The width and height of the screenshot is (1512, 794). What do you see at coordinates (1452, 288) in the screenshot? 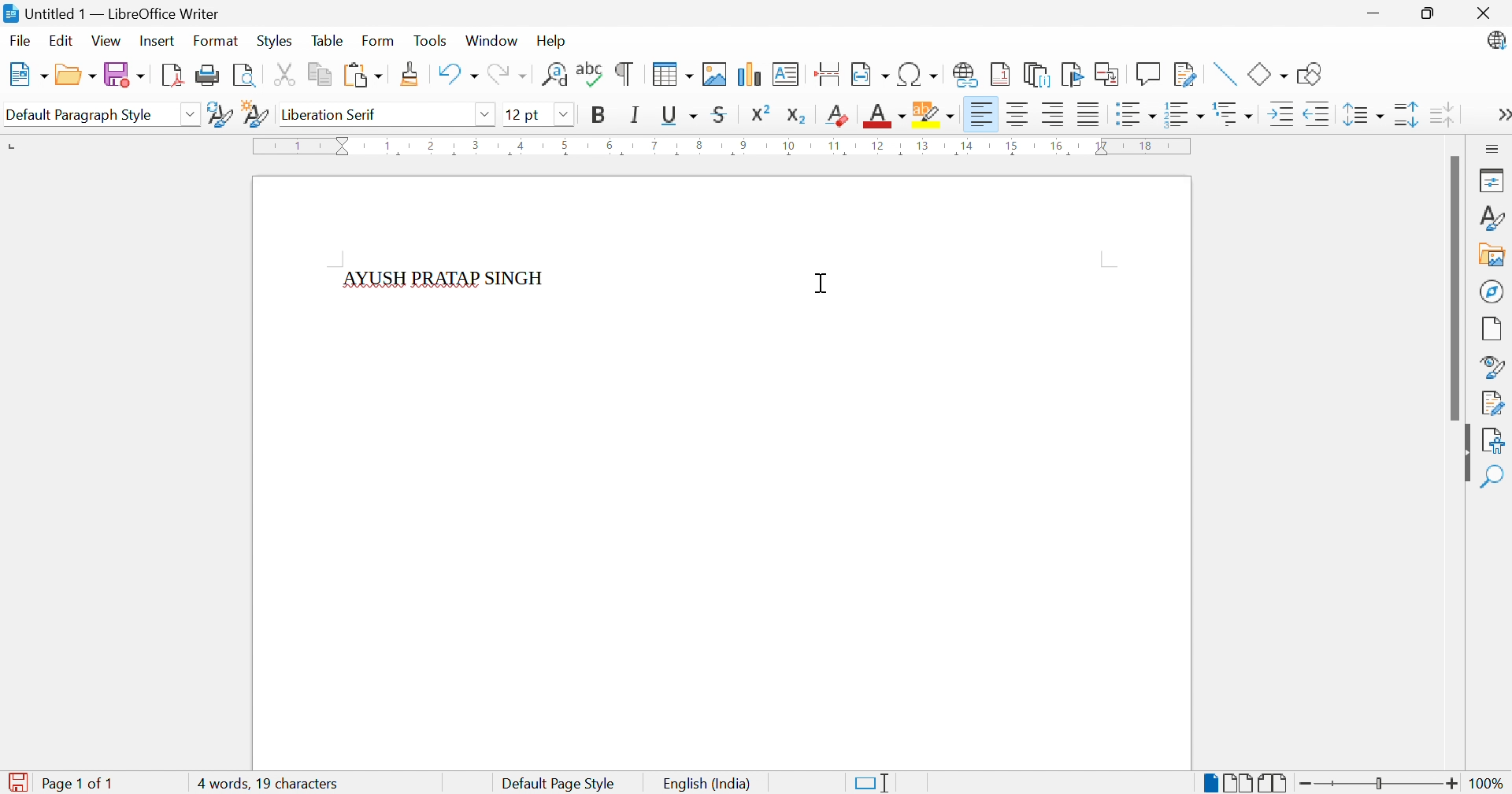
I see `Scroll Bar` at bounding box center [1452, 288].